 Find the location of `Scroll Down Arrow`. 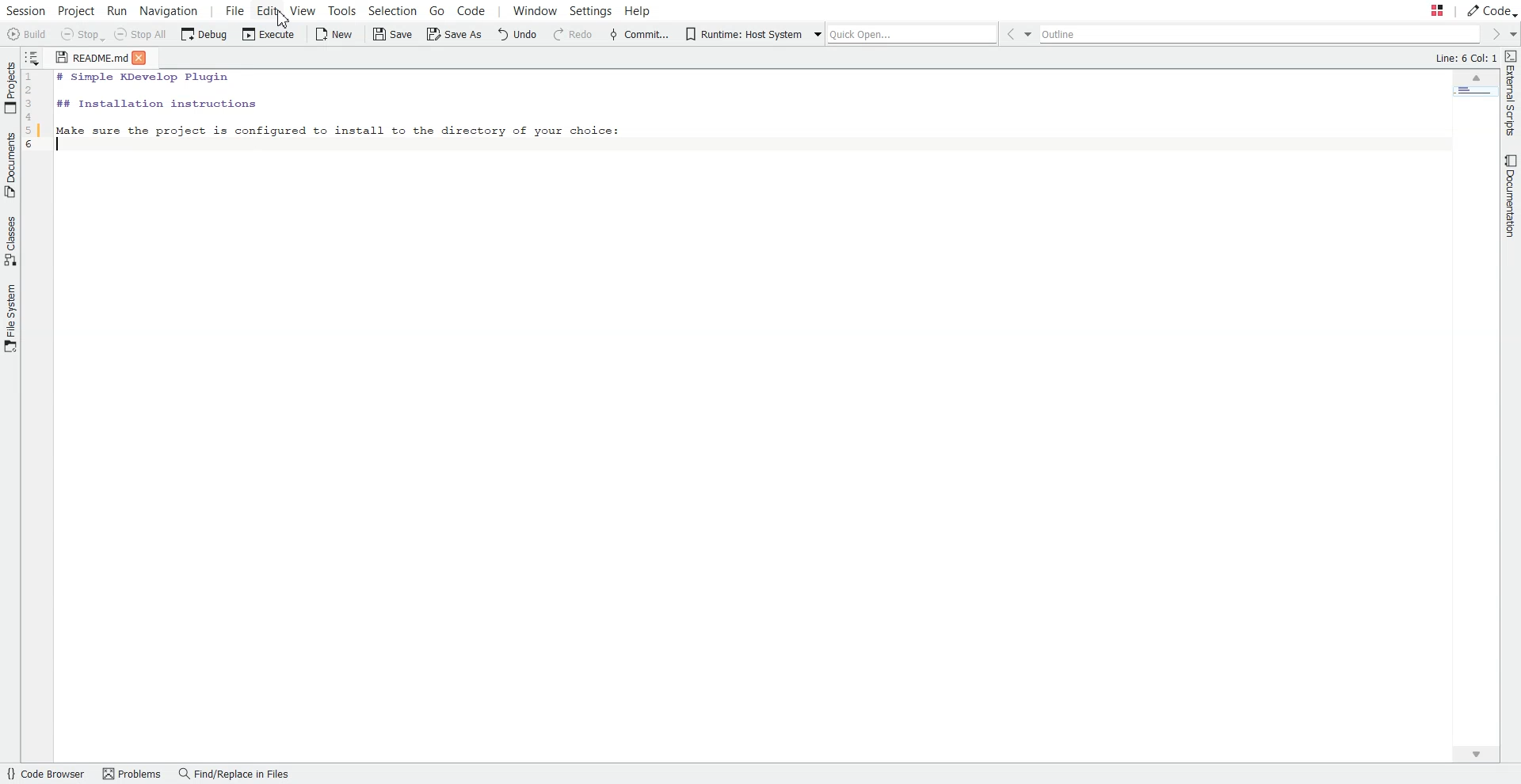

Scroll Down Arrow is located at coordinates (1482, 756).